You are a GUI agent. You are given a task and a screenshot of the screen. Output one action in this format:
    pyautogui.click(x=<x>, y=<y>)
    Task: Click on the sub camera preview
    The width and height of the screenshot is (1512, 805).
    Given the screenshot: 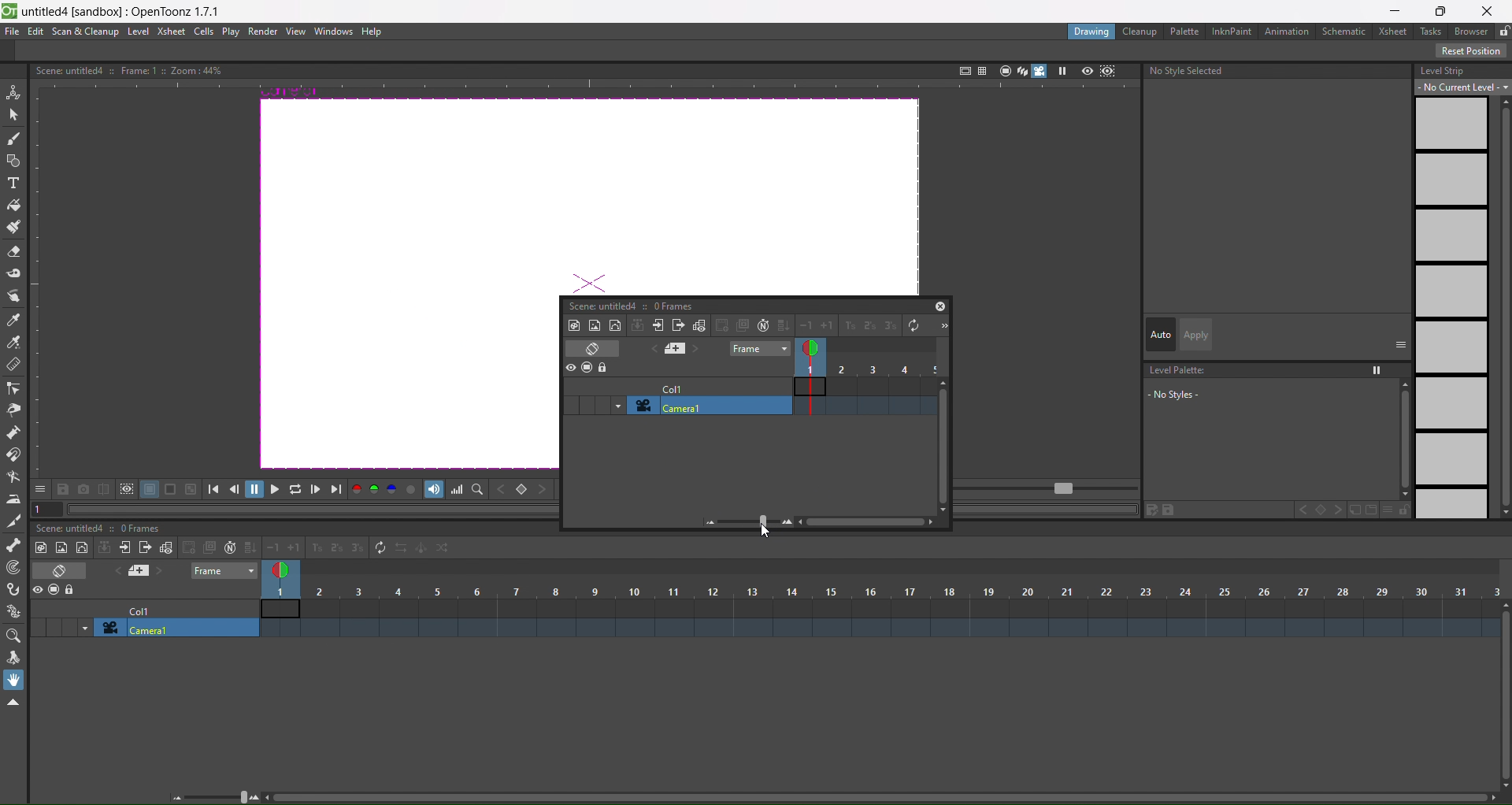 What is the action you would take?
    pyautogui.click(x=1108, y=71)
    